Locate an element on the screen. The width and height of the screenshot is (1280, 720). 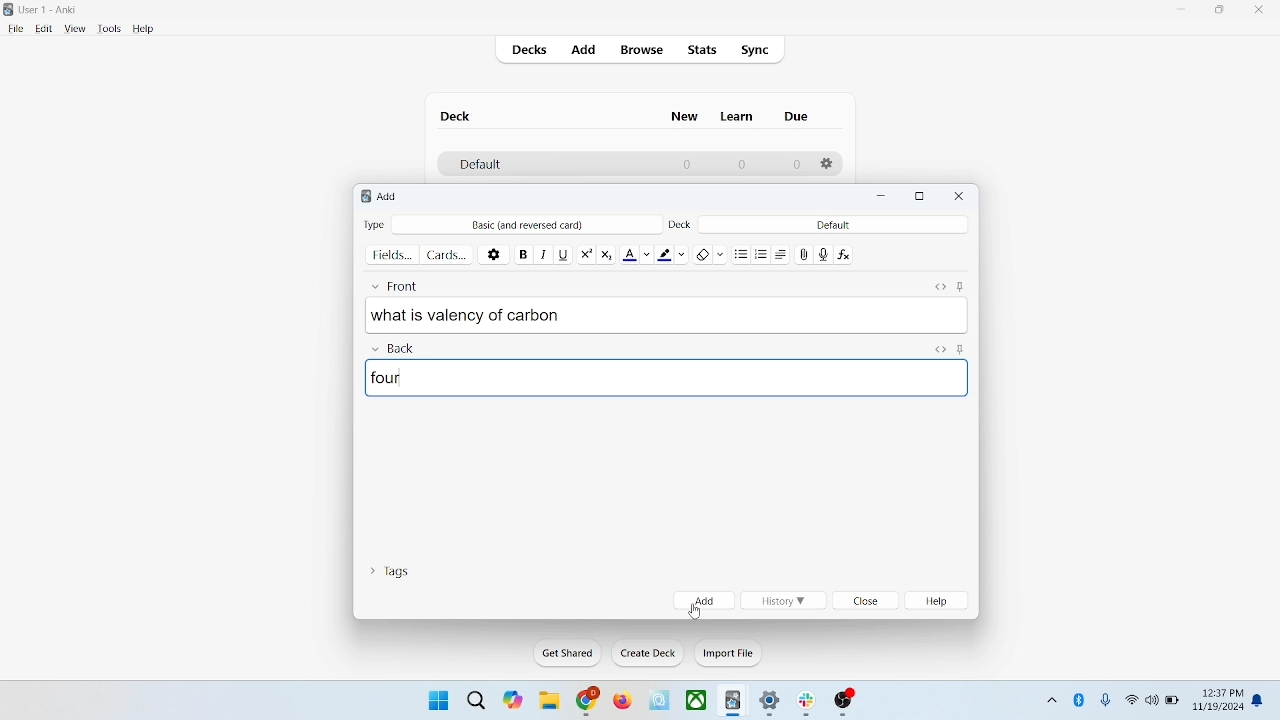
text highlight color is located at coordinates (676, 253).